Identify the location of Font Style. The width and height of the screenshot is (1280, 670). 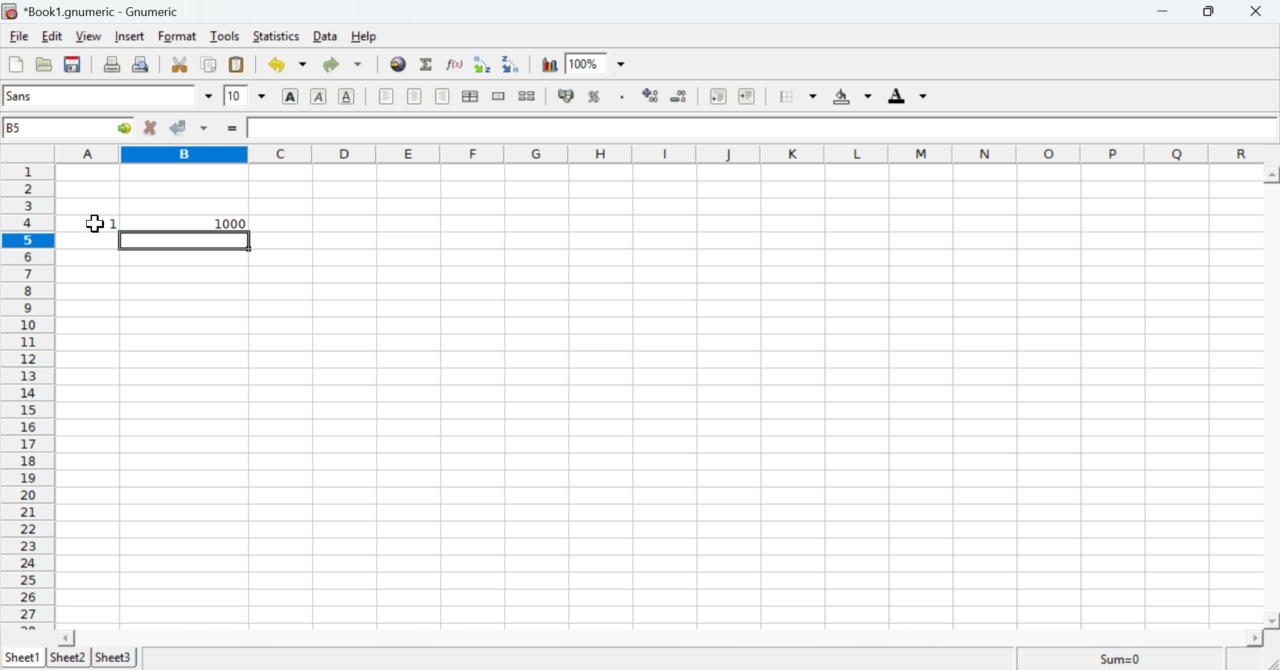
(111, 96).